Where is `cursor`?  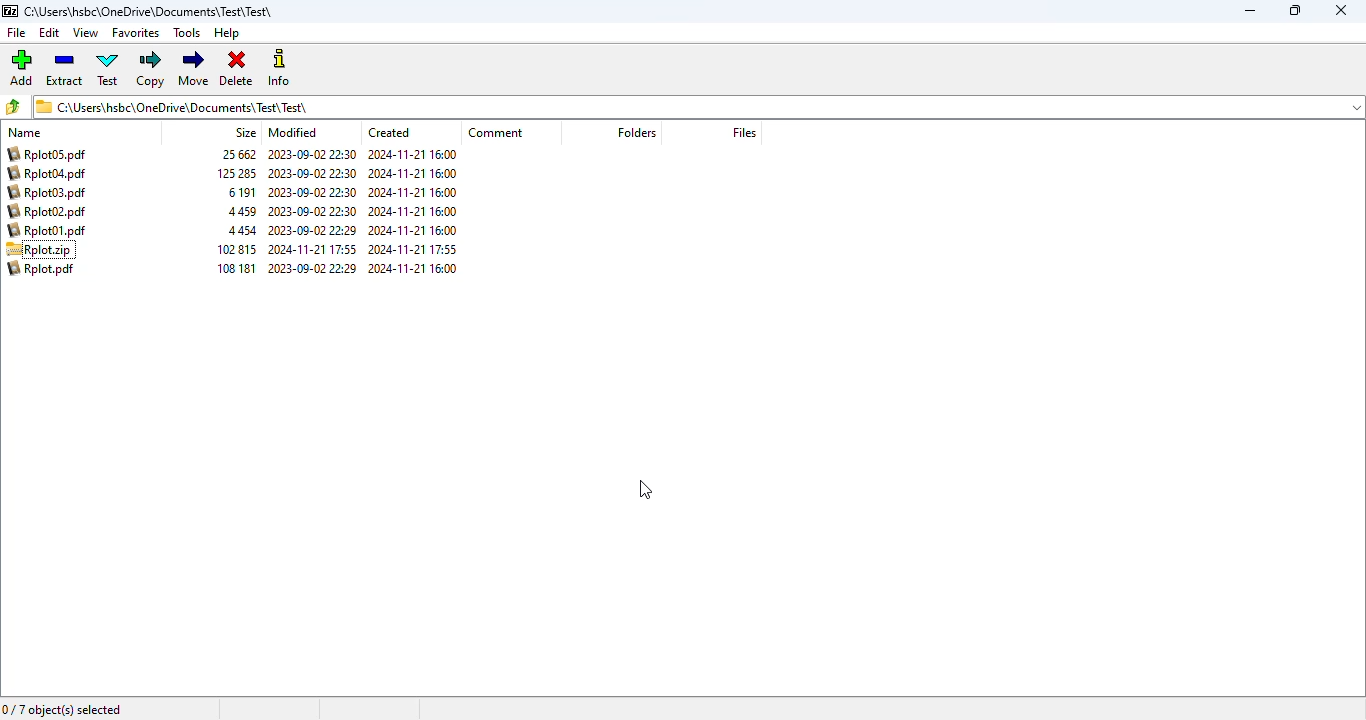
cursor is located at coordinates (646, 491).